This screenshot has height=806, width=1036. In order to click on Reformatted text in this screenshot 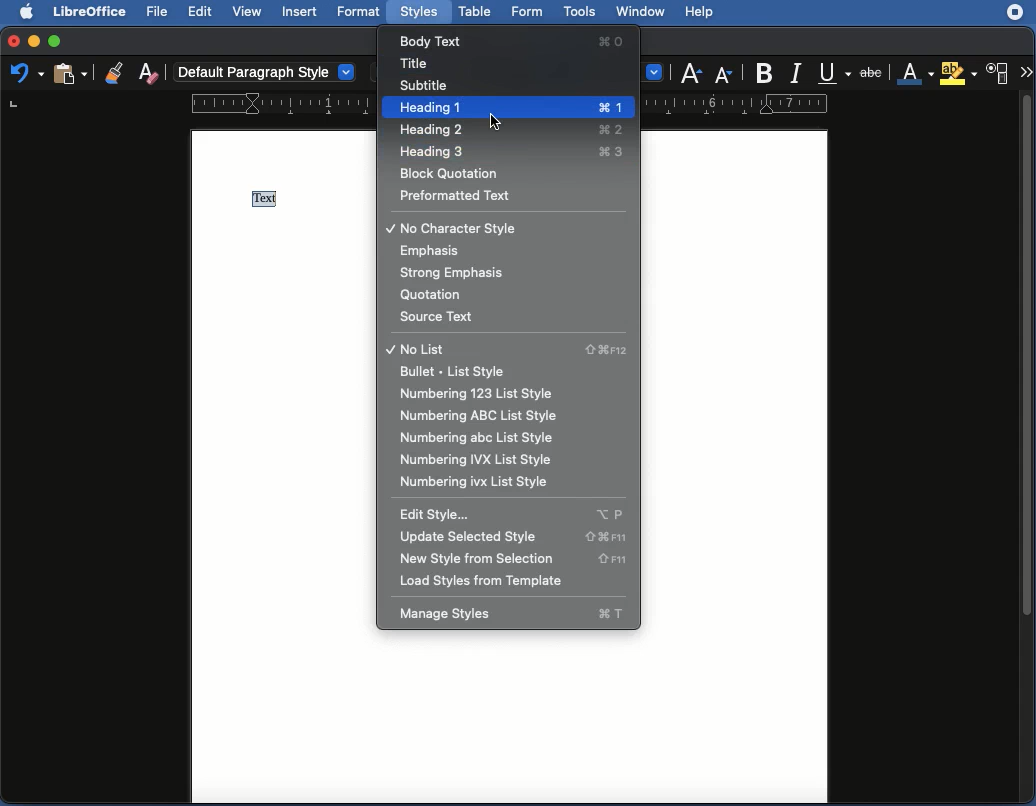, I will do `click(460, 196)`.